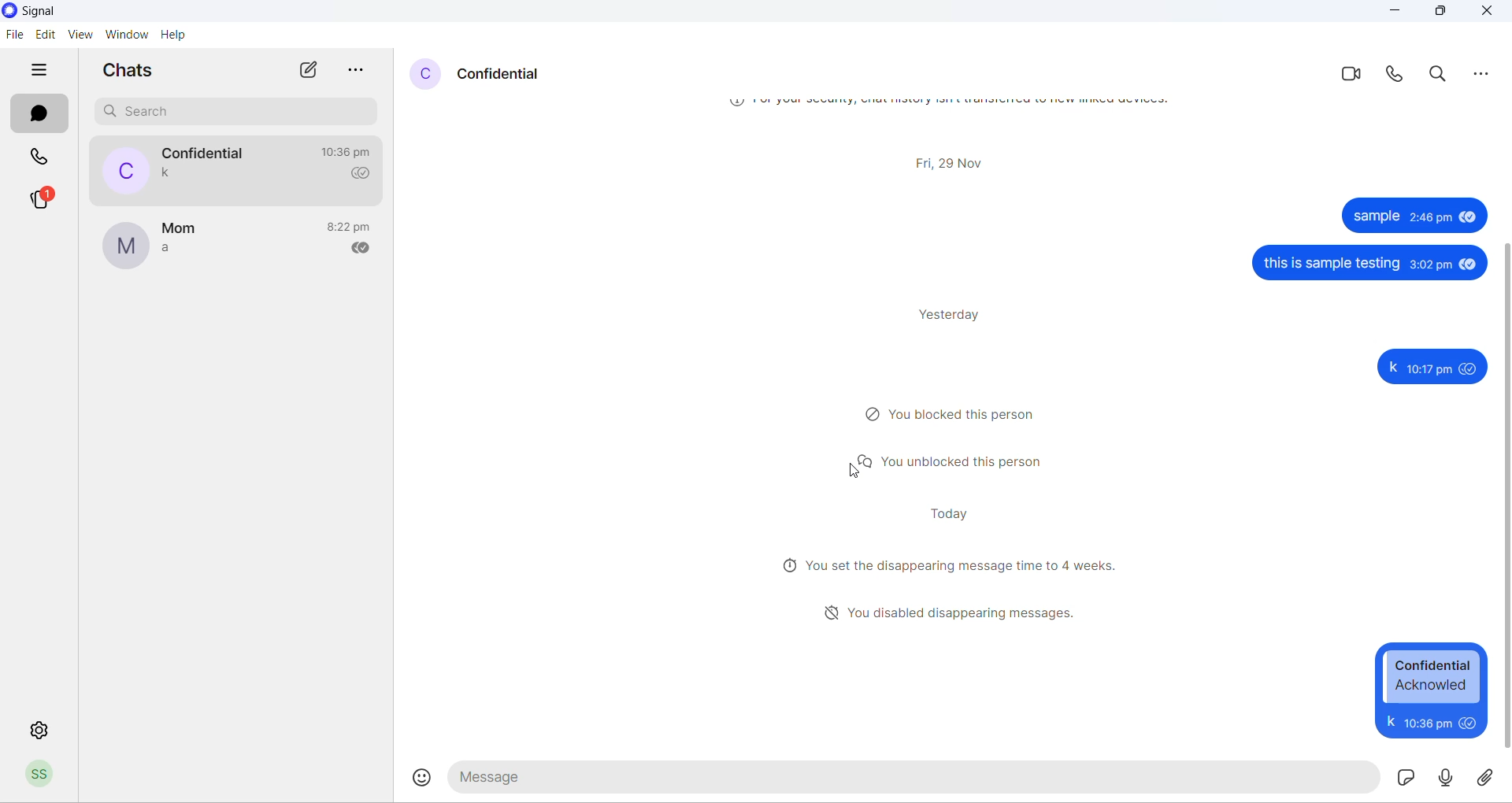 The height and width of the screenshot is (803, 1512). I want to click on settings, so click(36, 724).